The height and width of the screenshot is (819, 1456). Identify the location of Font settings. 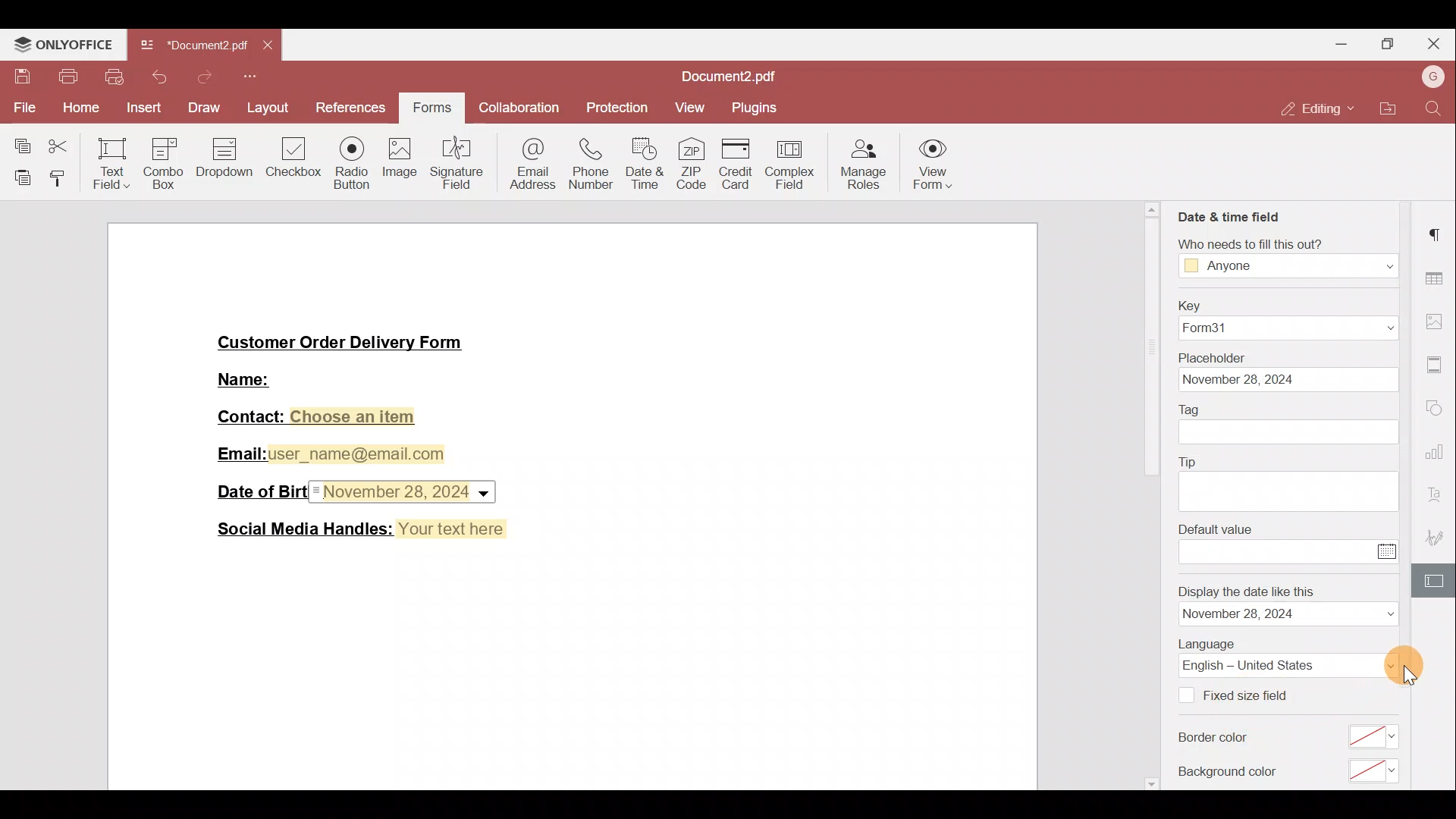
(1436, 496).